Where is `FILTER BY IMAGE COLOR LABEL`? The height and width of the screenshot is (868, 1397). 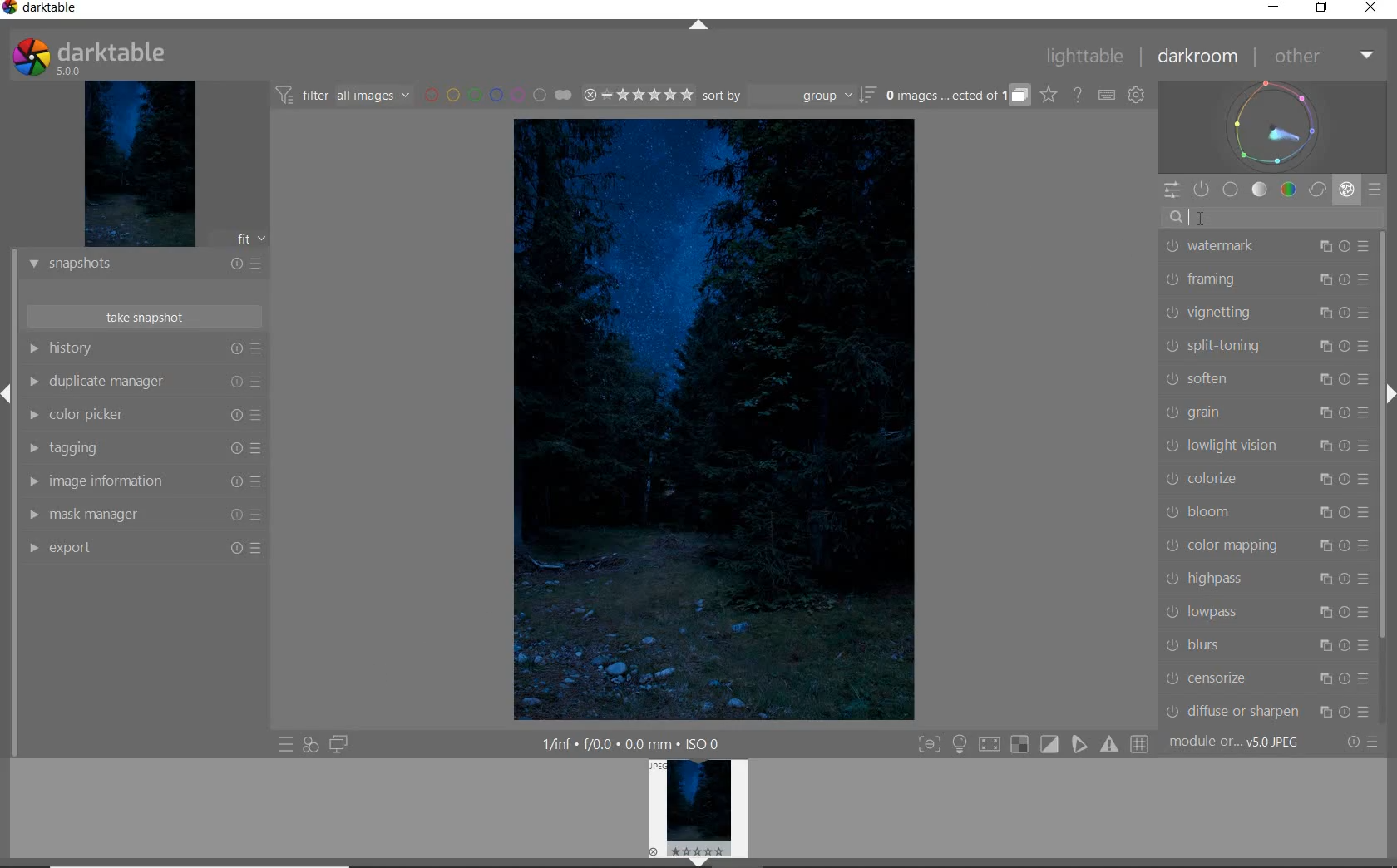 FILTER BY IMAGE COLOR LABEL is located at coordinates (498, 96).